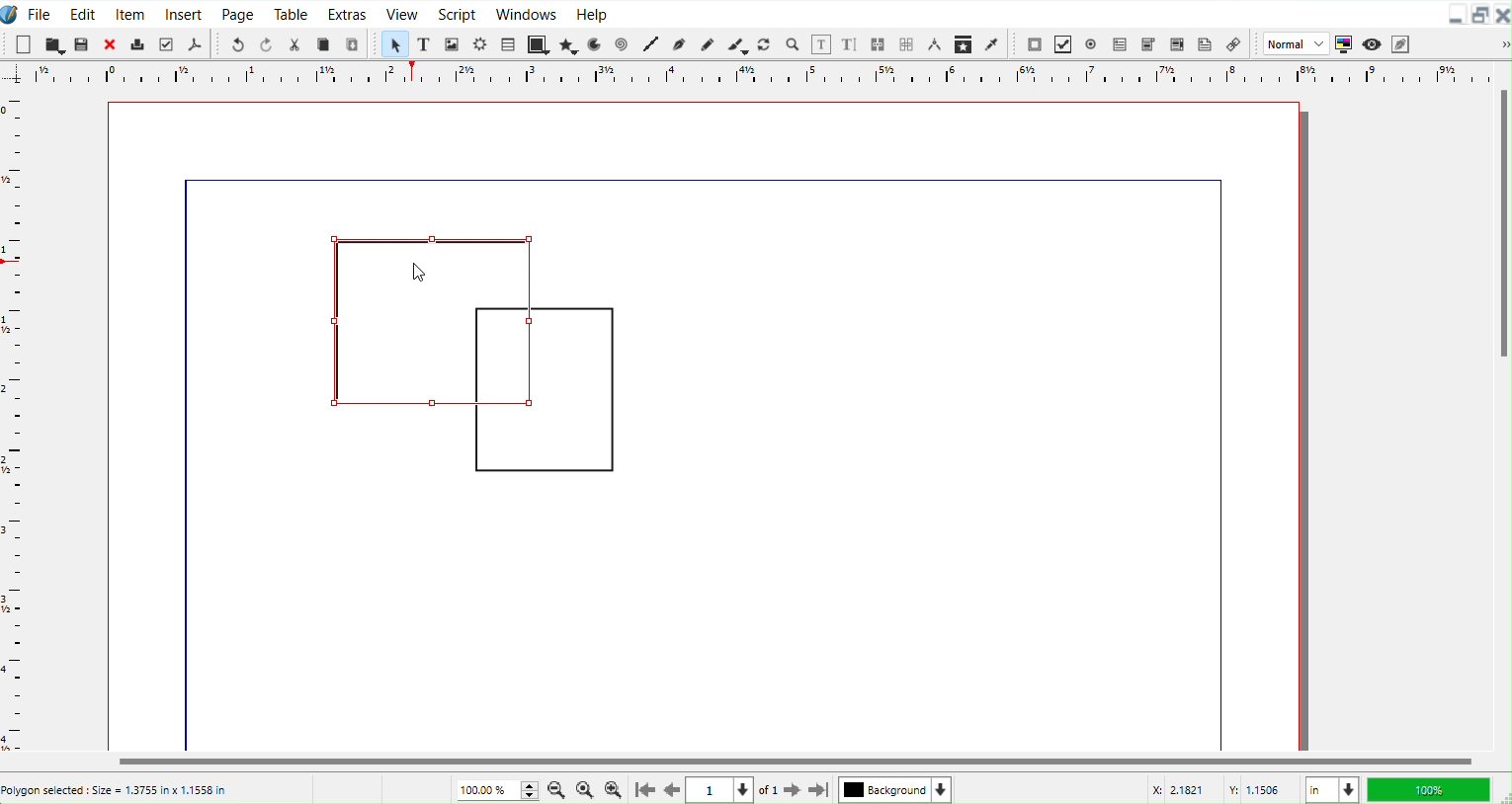 The image size is (1512, 804). I want to click on Copy, so click(325, 43).